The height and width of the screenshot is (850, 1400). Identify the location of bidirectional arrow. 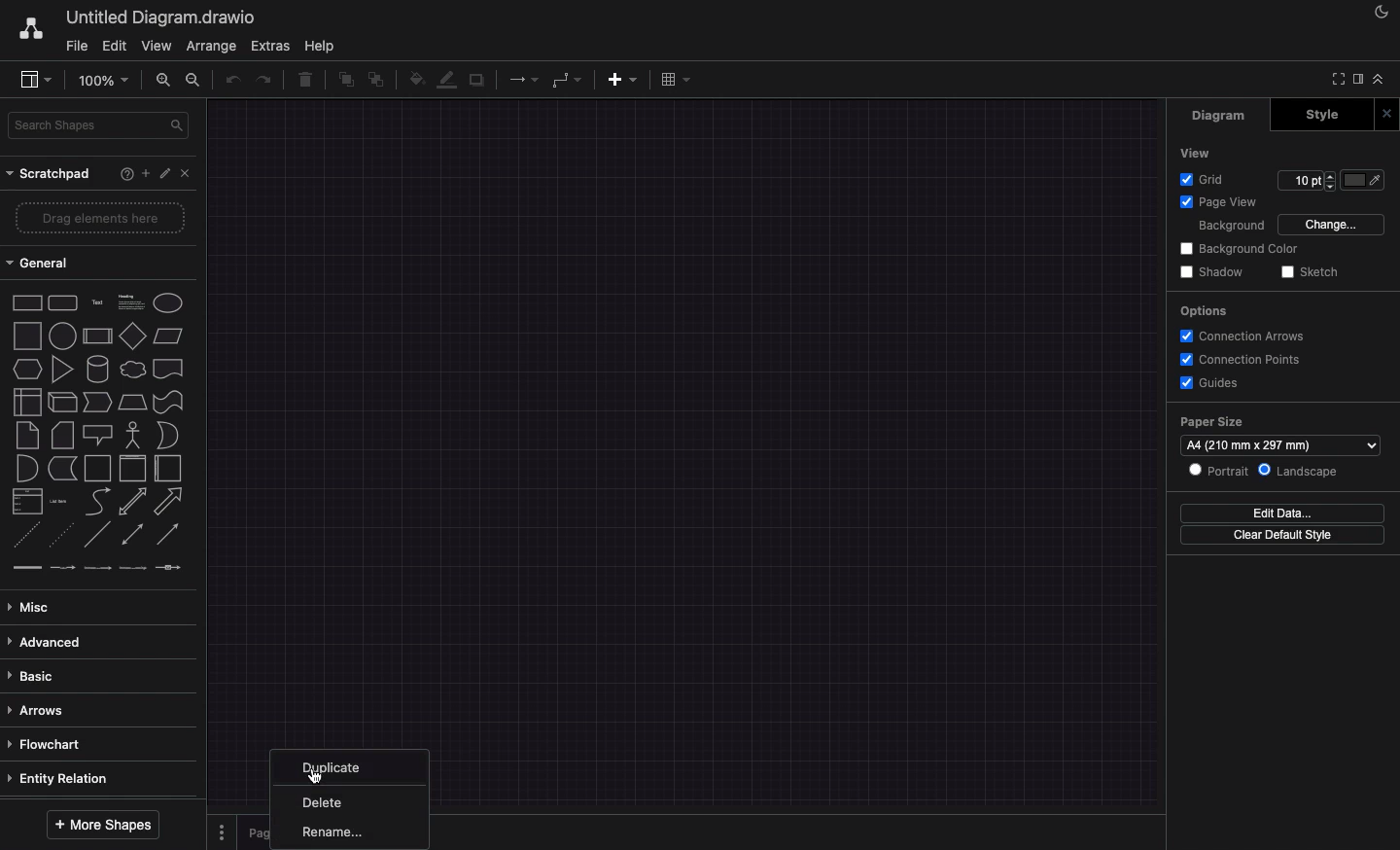
(132, 502).